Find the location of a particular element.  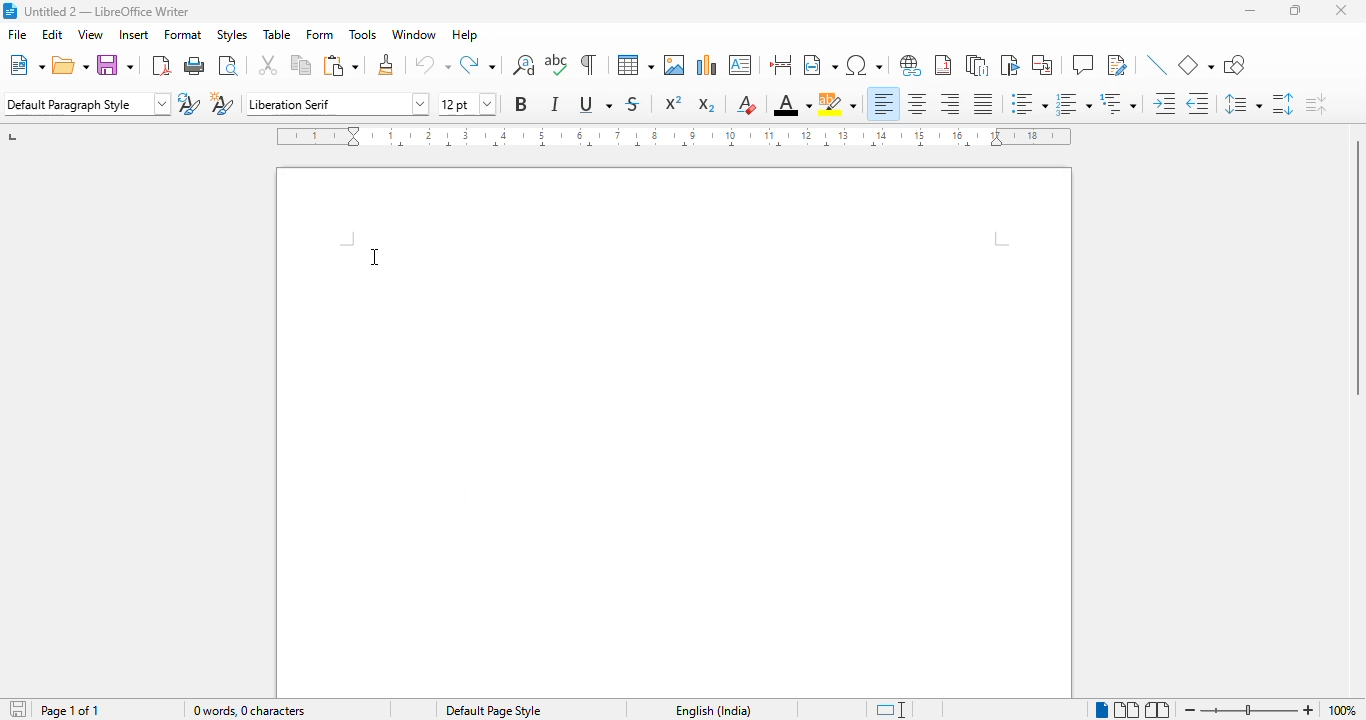

multi-page view is located at coordinates (1128, 710).